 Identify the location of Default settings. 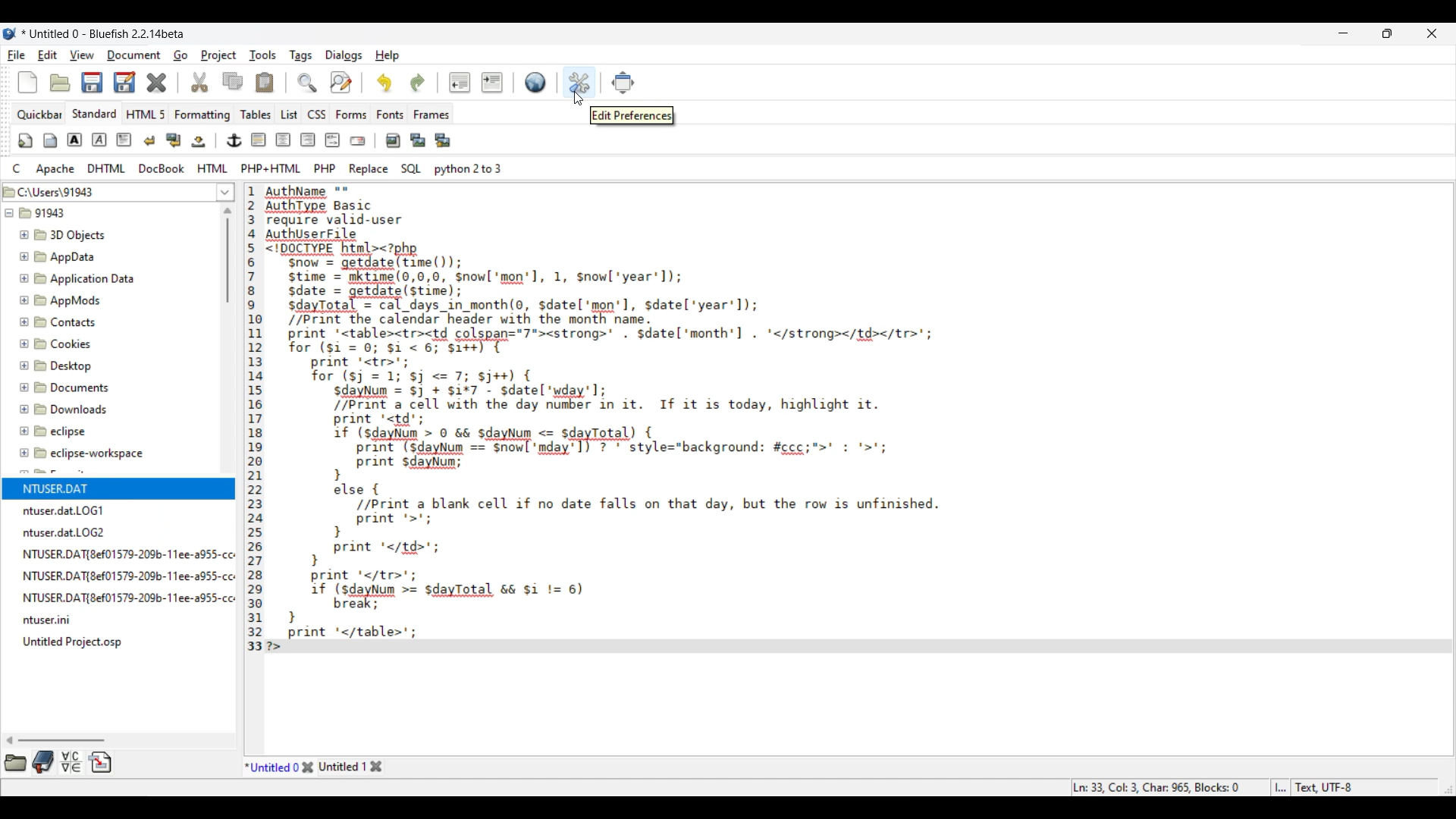
(535, 82).